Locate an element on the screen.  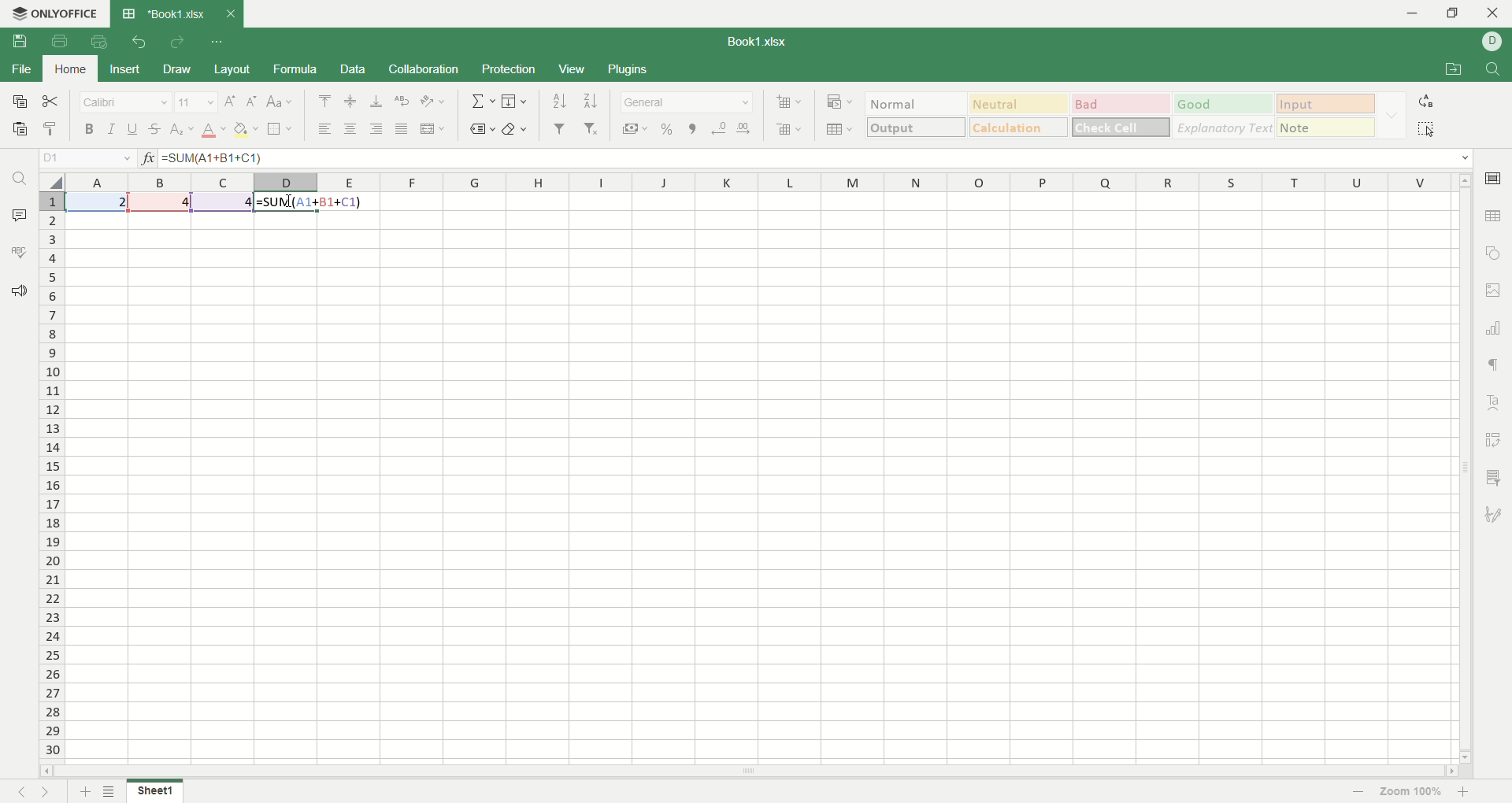
increase font is located at coordinates (230, 102).